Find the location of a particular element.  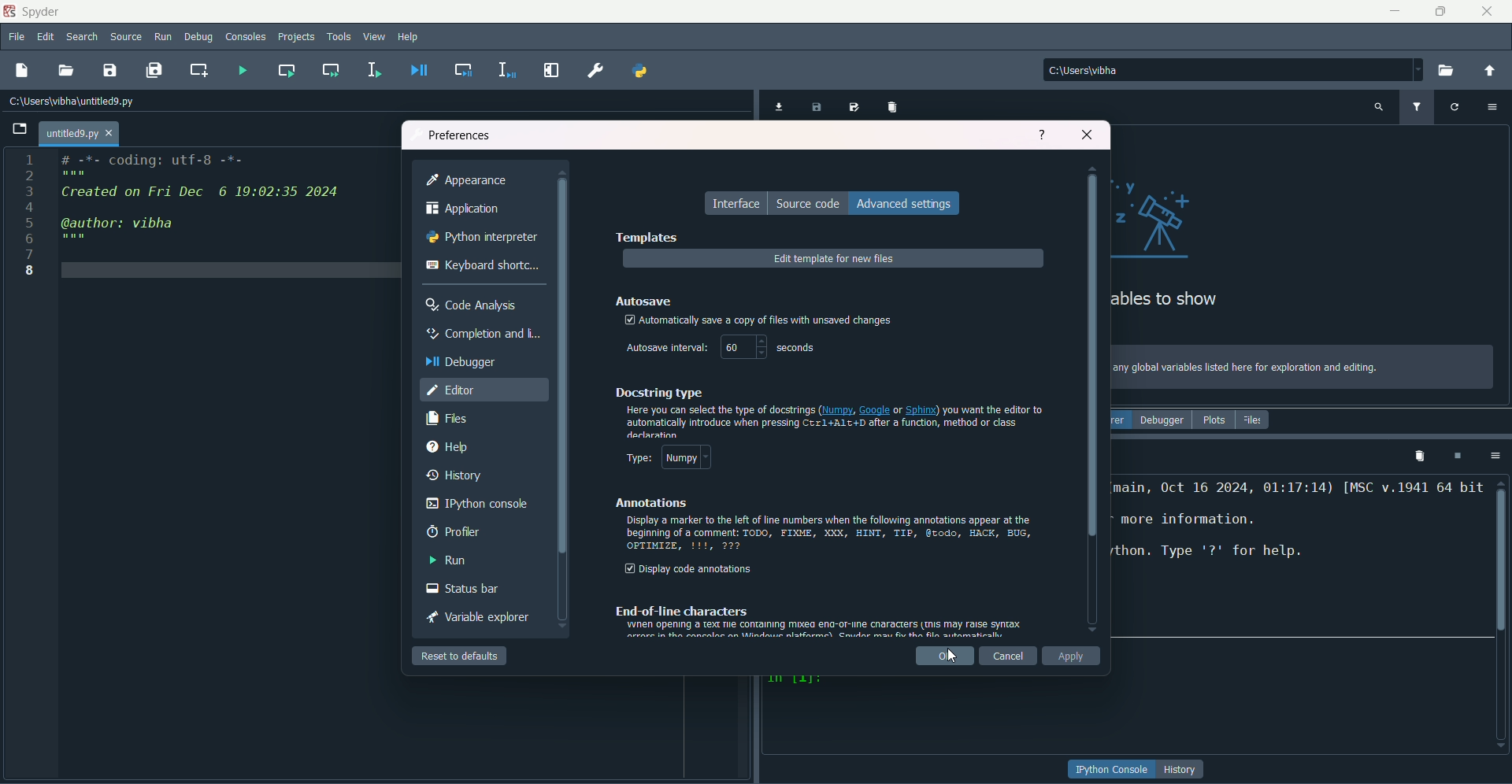

import data is located at coordinates (777, 108).